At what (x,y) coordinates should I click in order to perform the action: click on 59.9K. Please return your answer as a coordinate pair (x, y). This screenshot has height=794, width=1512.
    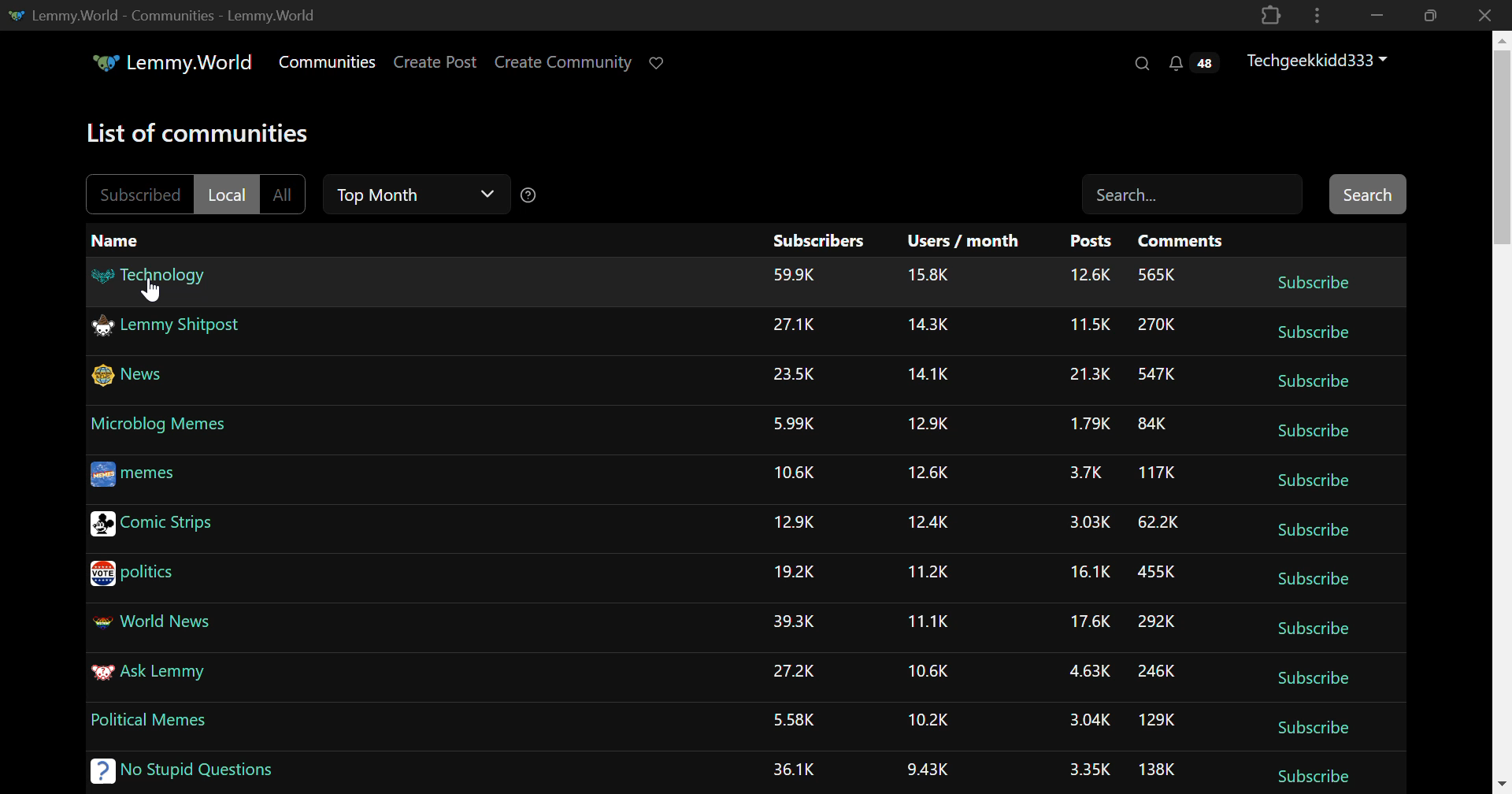
    Looking at the image, I should click on (793, 273).